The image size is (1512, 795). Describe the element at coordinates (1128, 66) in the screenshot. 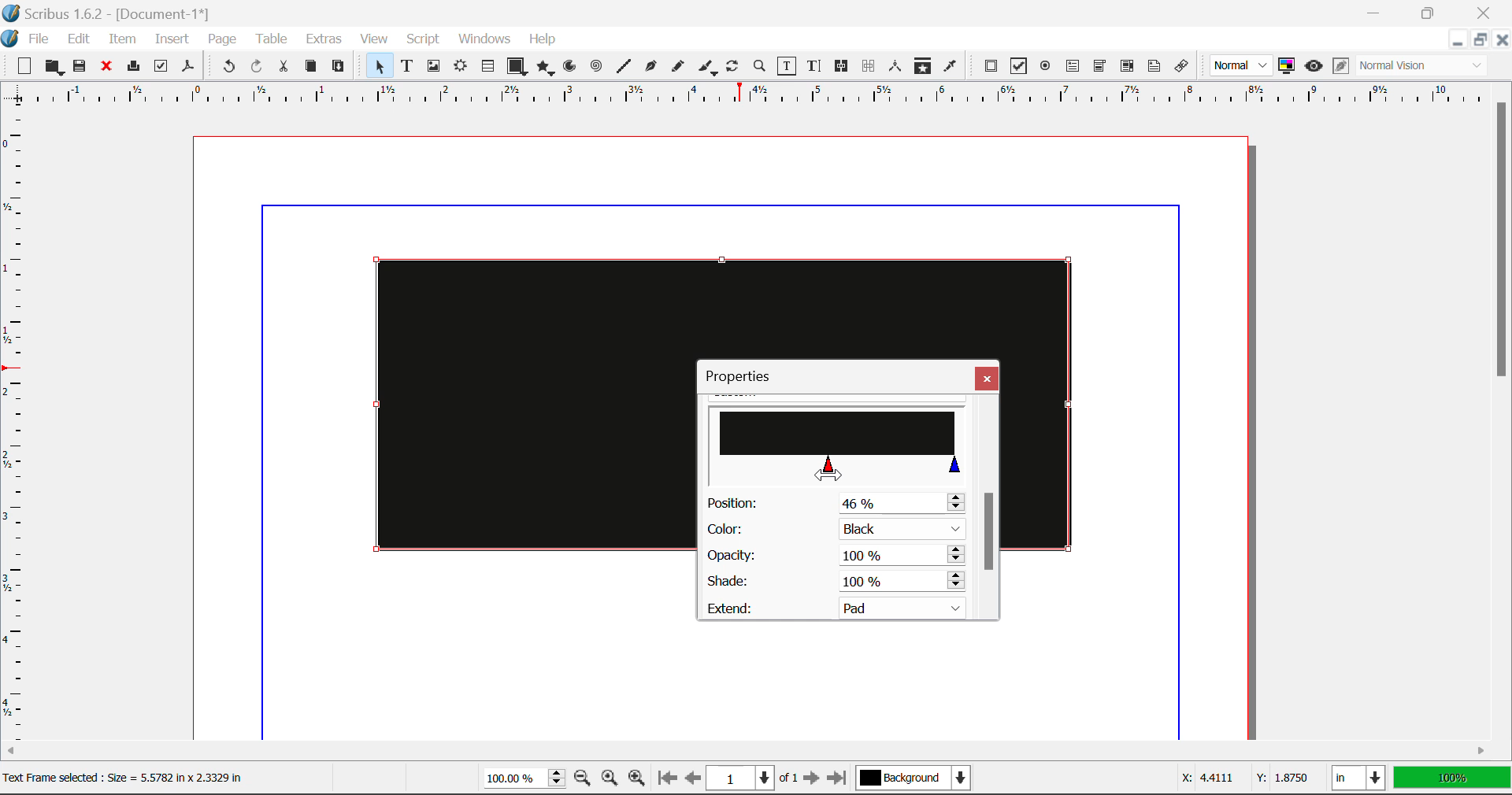

I see `PDF List Box` at that location.